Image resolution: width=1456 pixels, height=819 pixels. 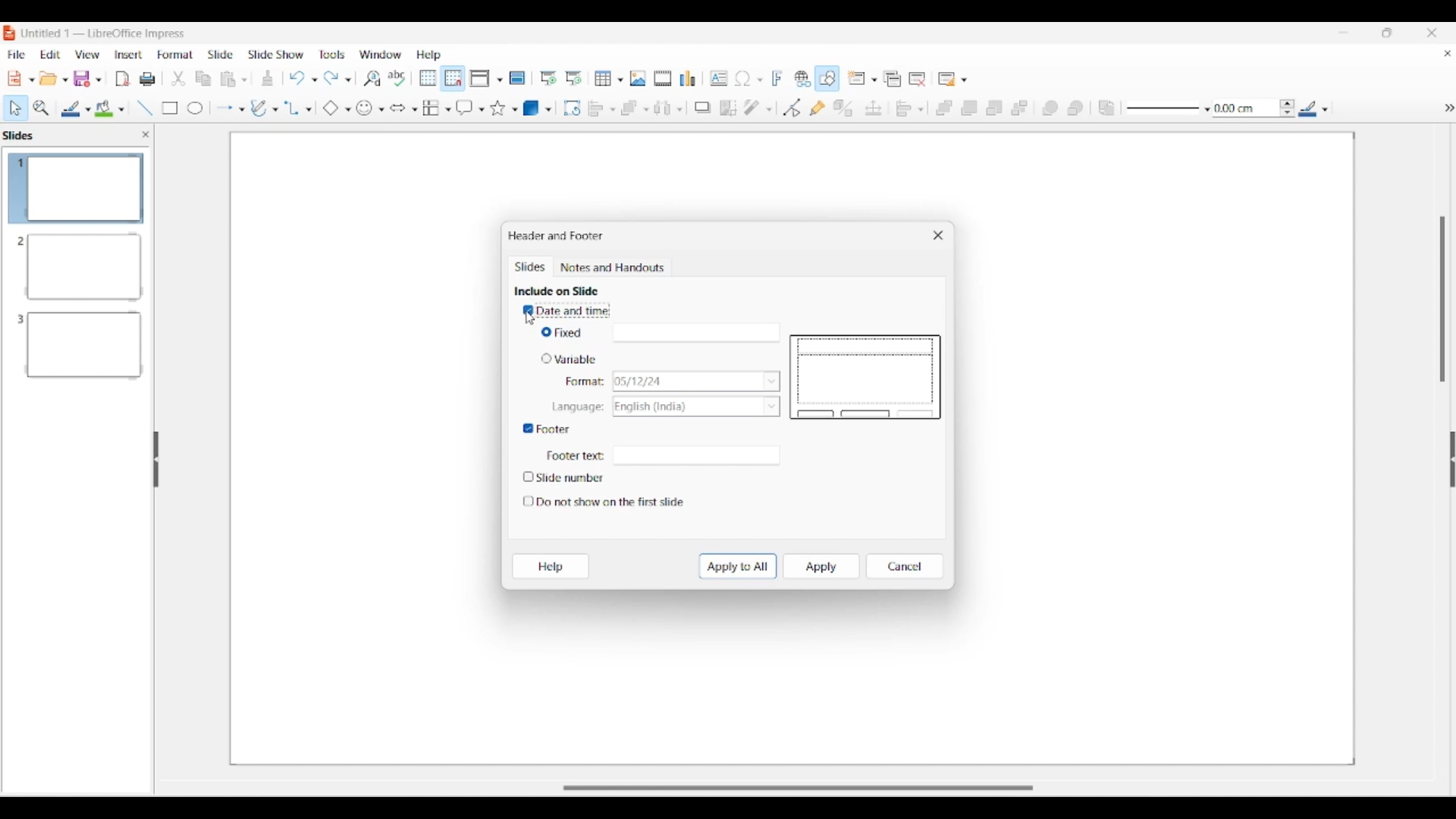 I want to click on Select option highlighted, so click(x=15, y=108).